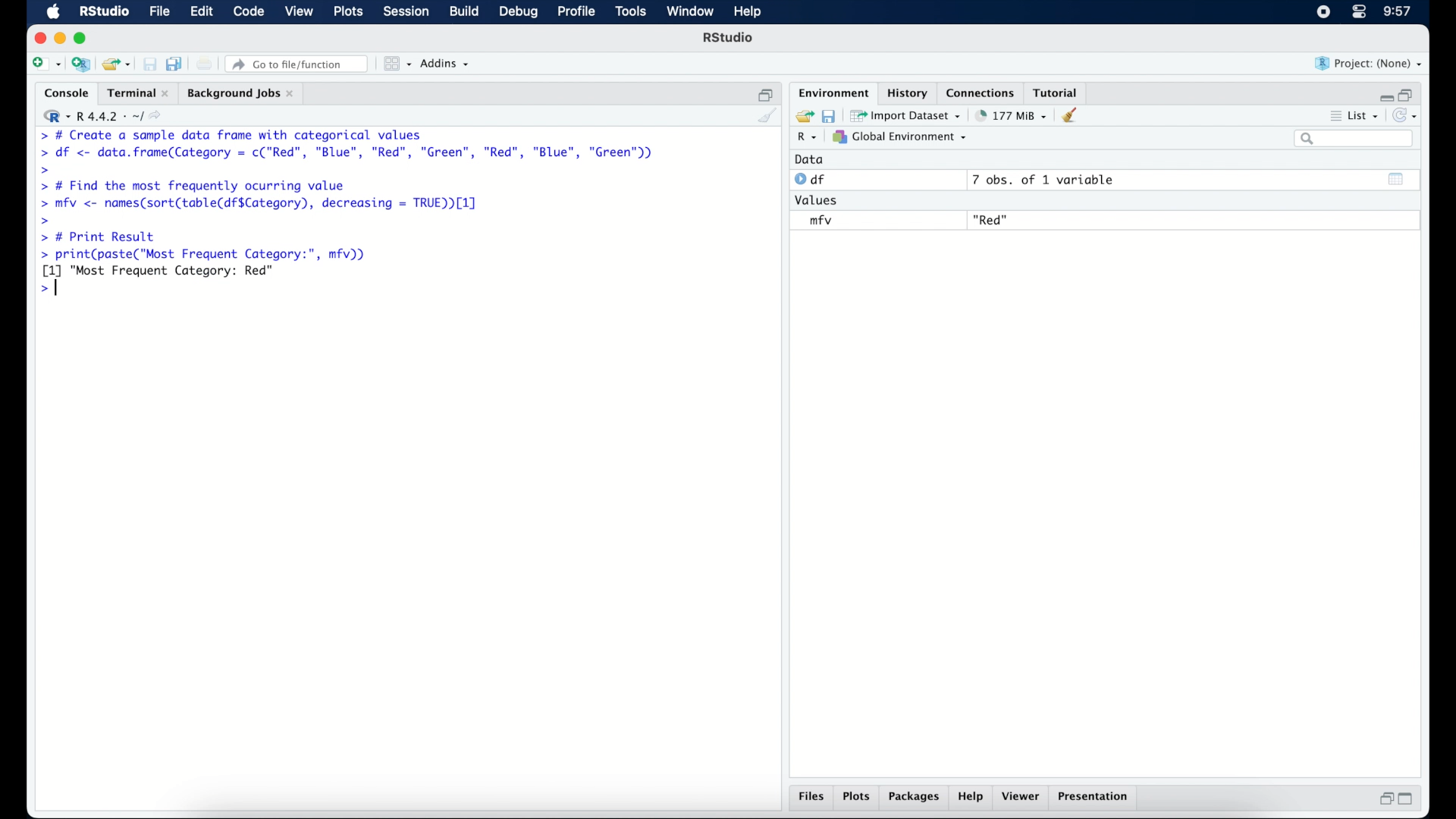 This screenshot has height=819, width=1456. I want to click on R studio, so click(104, 12).